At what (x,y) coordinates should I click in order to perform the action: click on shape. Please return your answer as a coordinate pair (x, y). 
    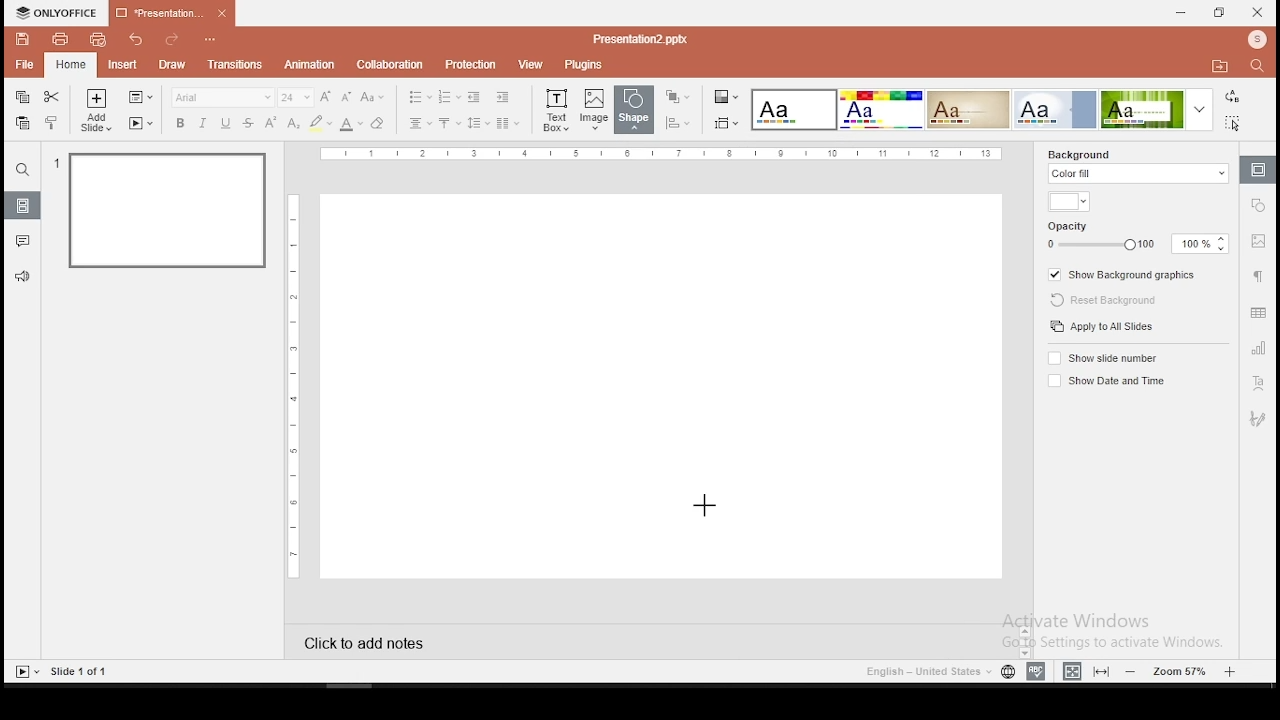
    Looking at the image, I should click on (637, 111).